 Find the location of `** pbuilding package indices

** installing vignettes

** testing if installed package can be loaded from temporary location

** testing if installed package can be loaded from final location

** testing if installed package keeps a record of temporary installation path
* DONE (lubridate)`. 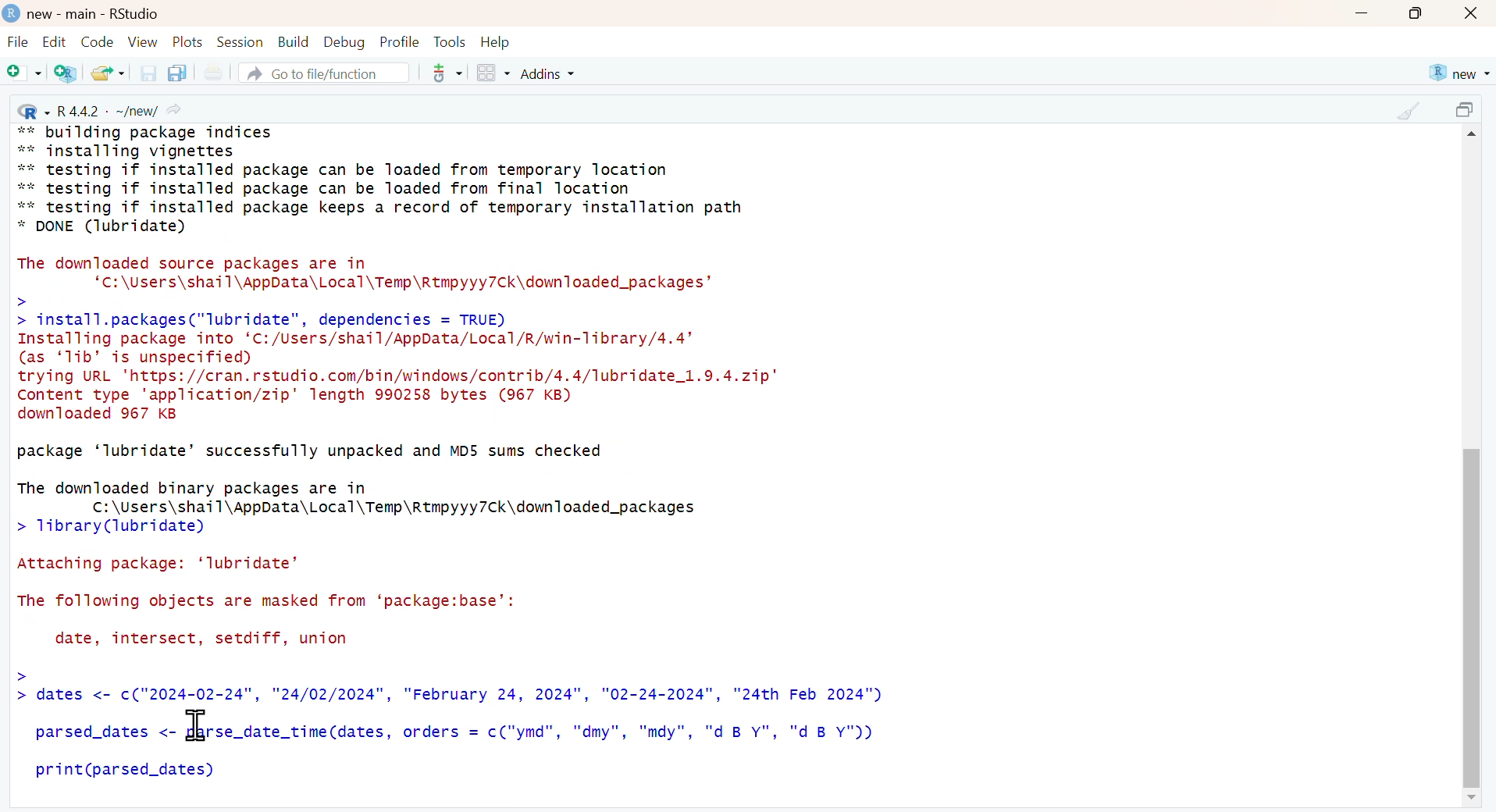

** pbuilding package indices

** installing vignettes

** testing if installed package can be loaded from temporary location

** testing if installed package can be loaded from final location

** testing if installed package keeps a record of temporary installation path
* DONE (lubridate) is located at coordinates (382, 181).